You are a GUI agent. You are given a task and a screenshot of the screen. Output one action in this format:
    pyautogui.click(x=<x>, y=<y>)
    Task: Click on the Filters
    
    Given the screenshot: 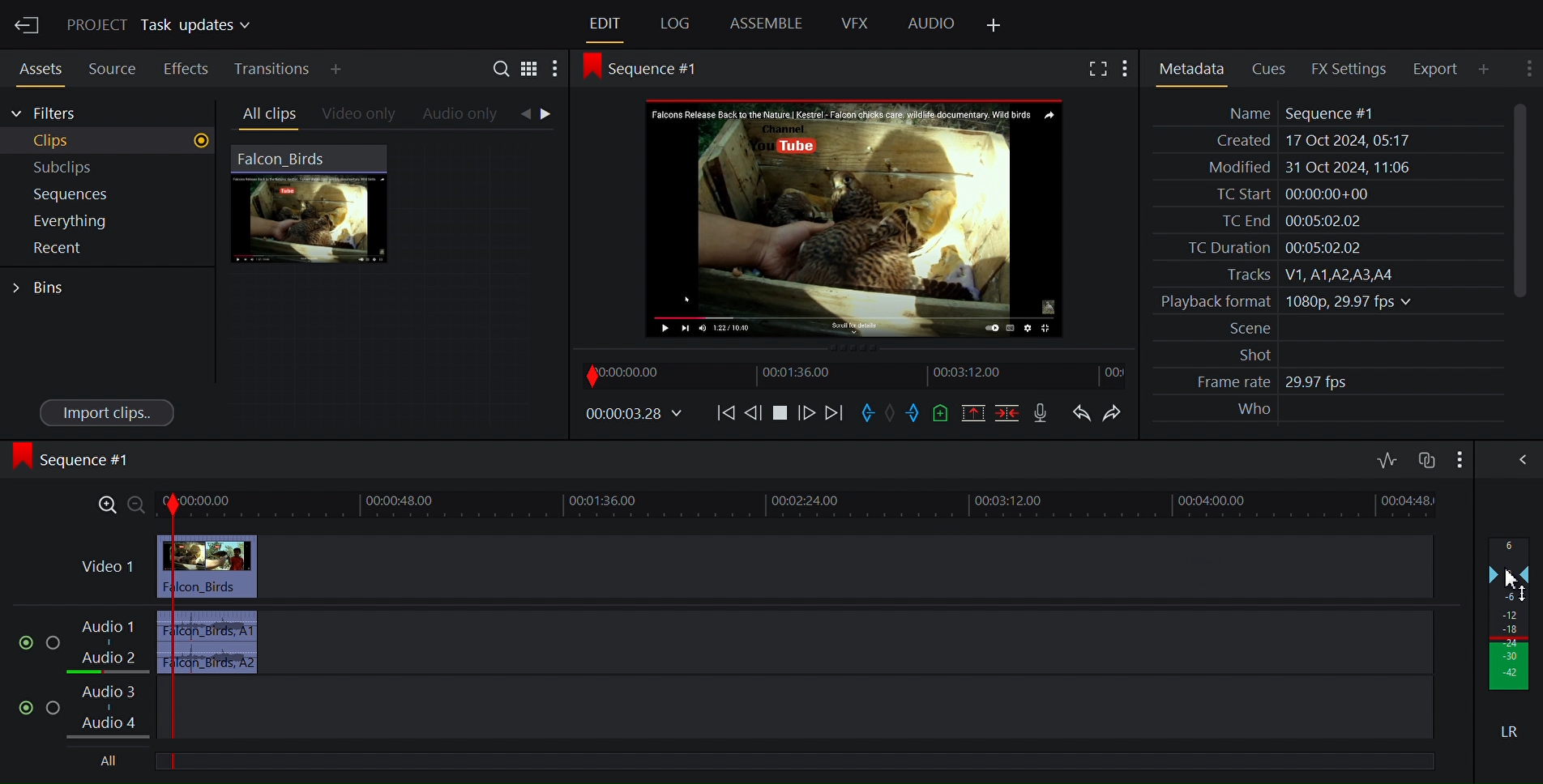 What is the action you would take?
    pyautogui.click(x=46, y=114)
    